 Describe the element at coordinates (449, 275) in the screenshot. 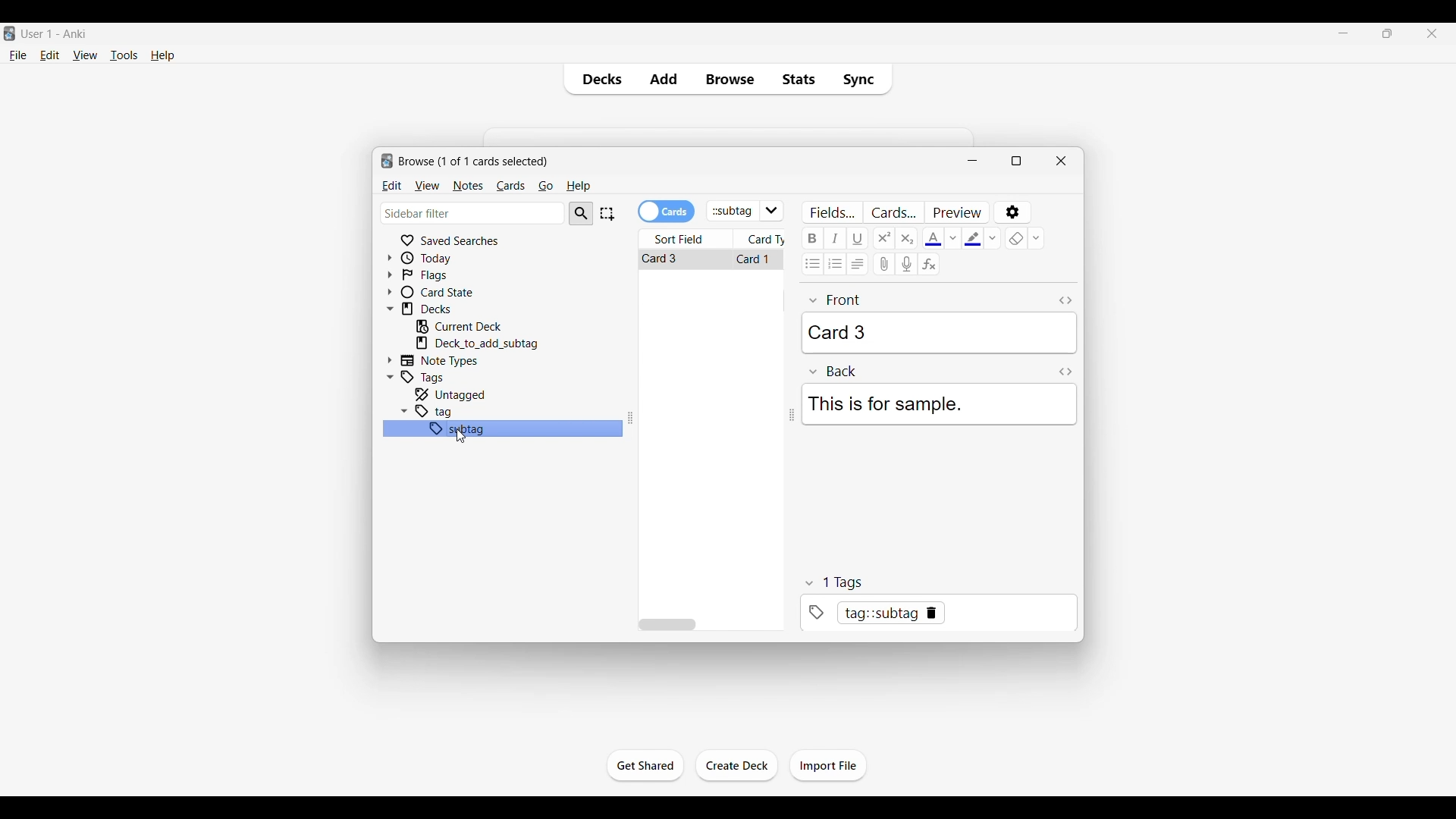

I see `Click to go to Flags ` at that location.